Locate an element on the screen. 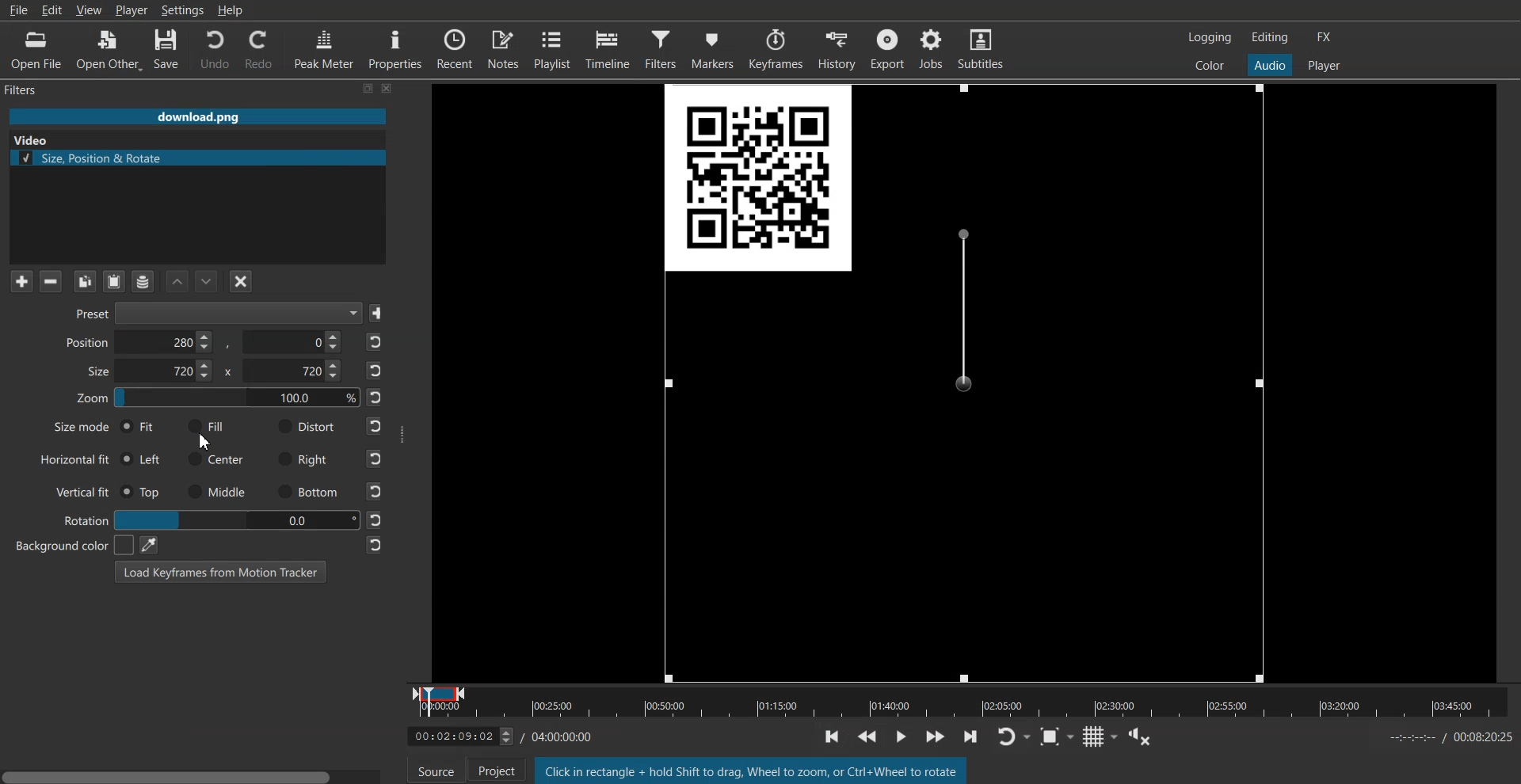 This screenshot has height=784, width=1521. File is located at coordinates (16, 13).